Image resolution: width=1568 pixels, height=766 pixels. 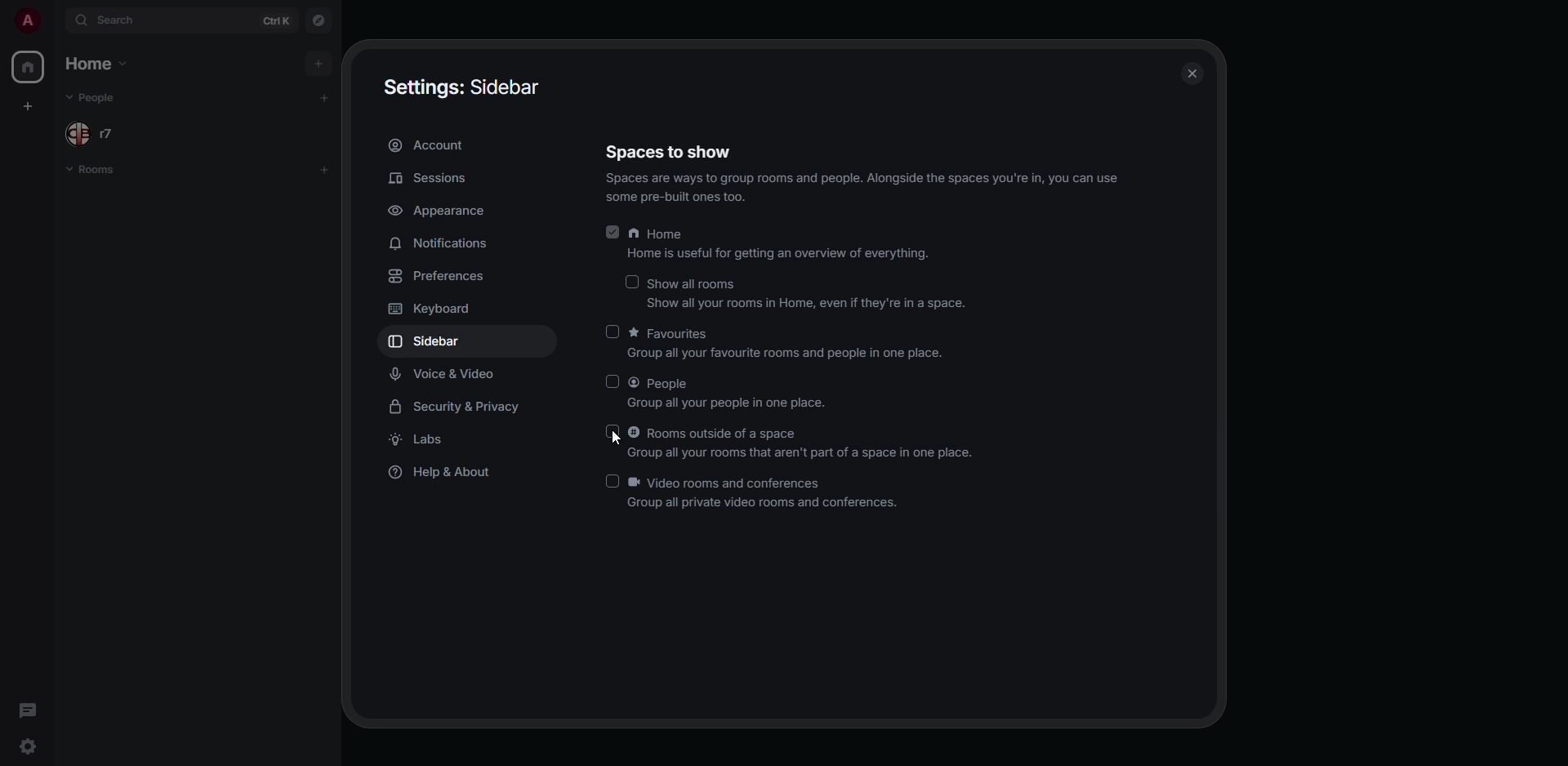 What do you see at coordinates (612, 483) in the screenshot?
I see `click to enable` at bounding box center [612, 483].